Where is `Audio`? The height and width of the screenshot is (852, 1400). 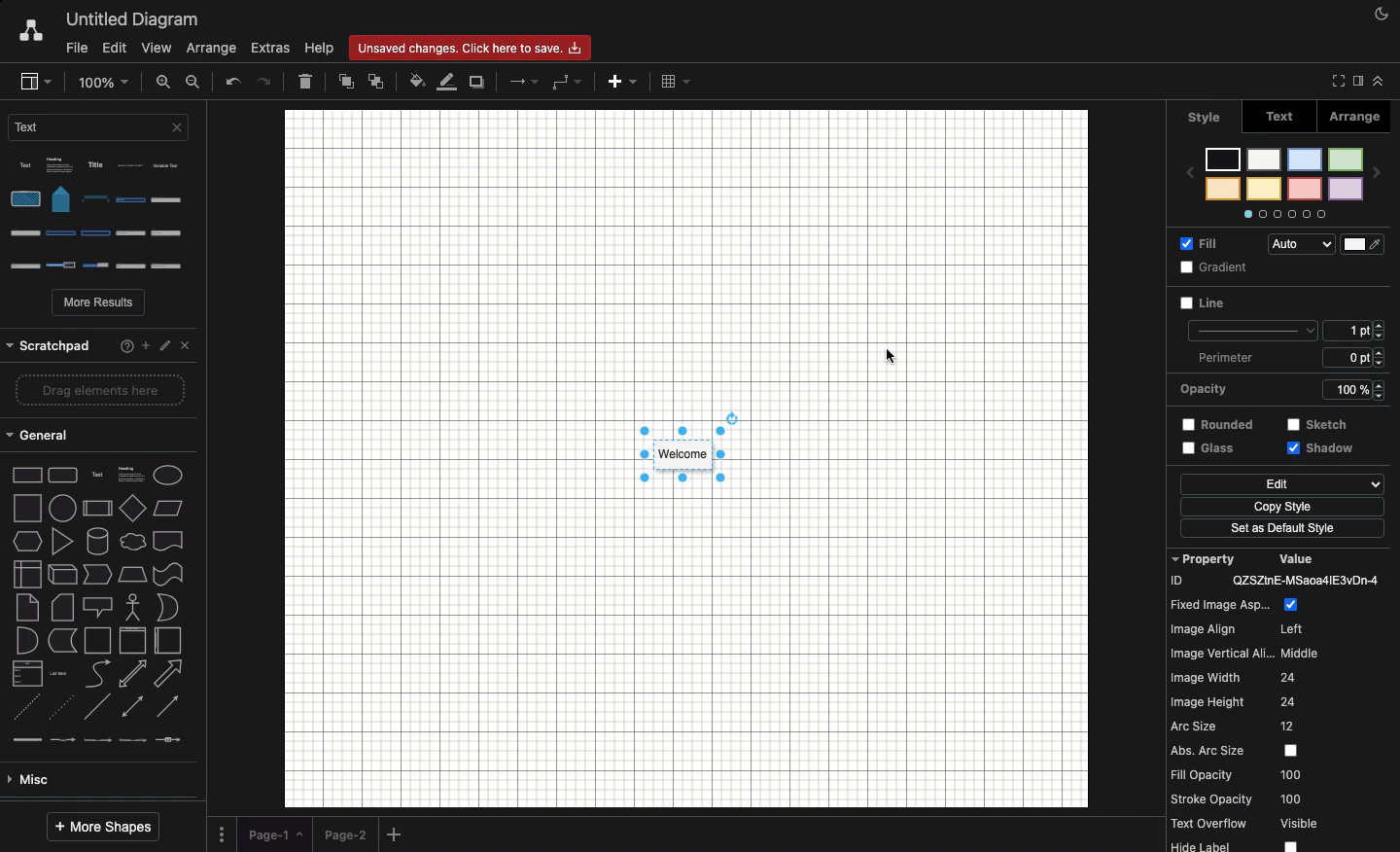
Audio is located at coordinates (1328, 241).